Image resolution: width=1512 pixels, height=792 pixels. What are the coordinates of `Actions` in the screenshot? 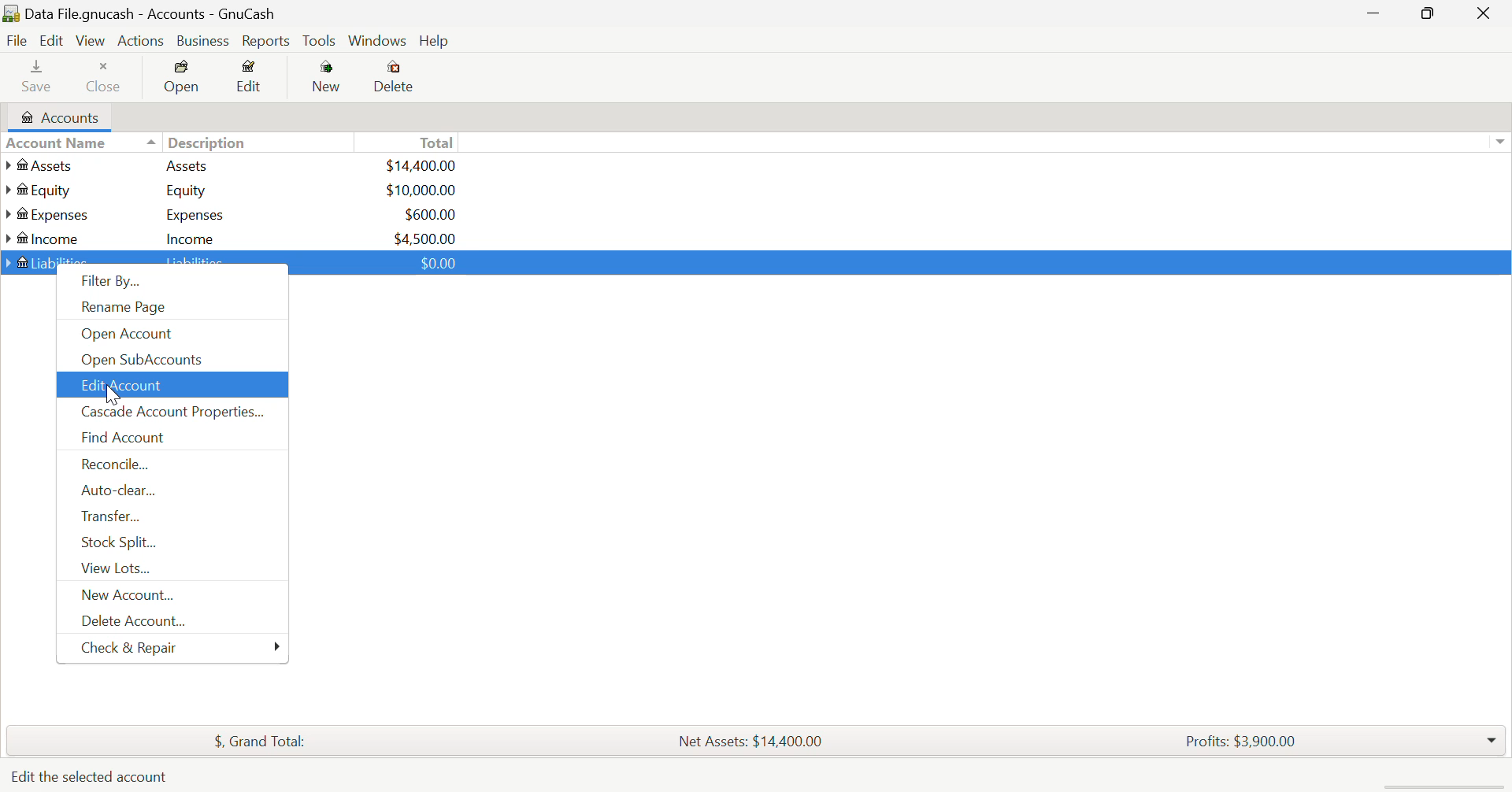 It's located at (139, 41).